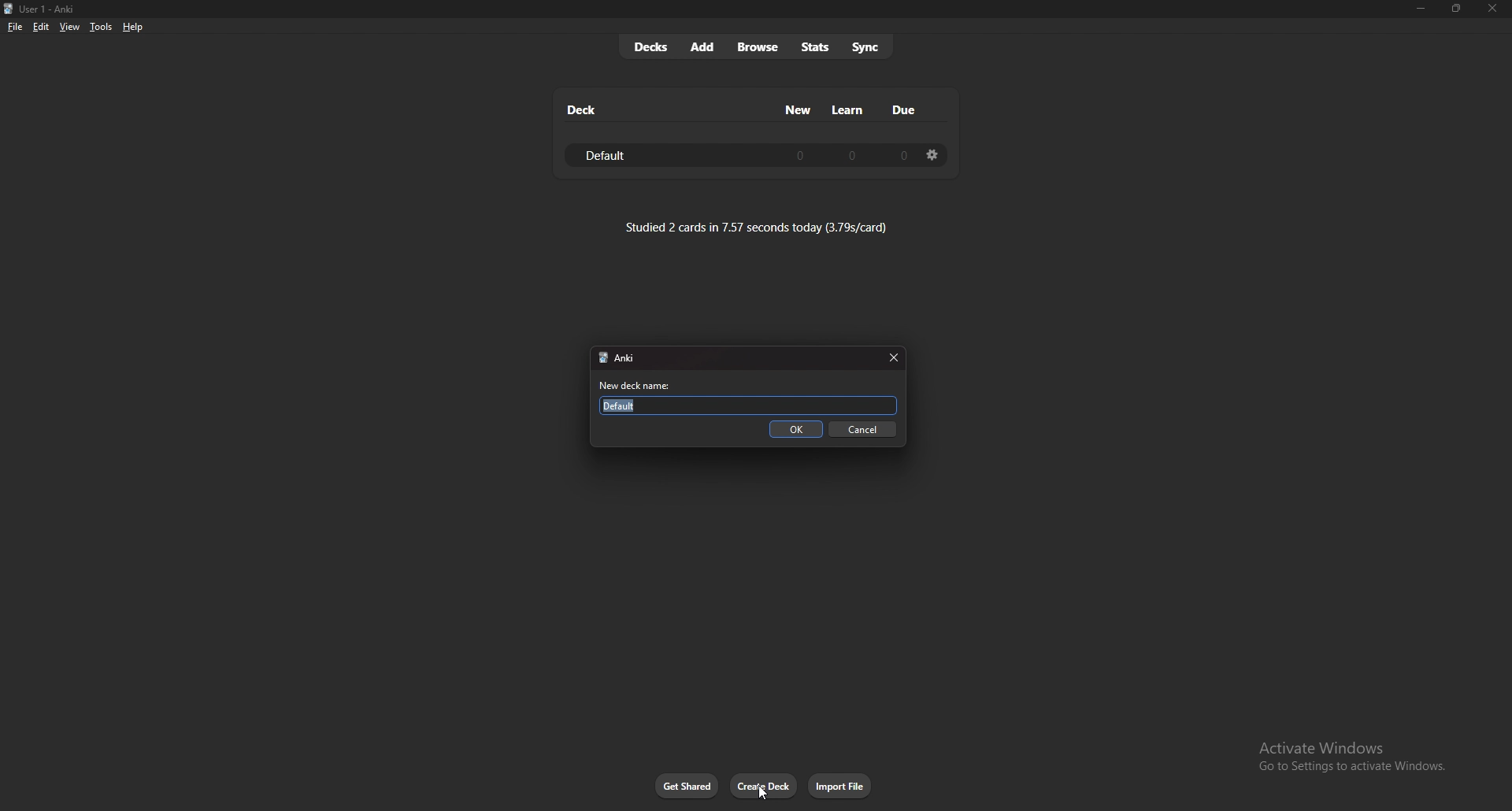  Describe the element at coordinates (69, 26) in the screenshot. I see `view` at that location.